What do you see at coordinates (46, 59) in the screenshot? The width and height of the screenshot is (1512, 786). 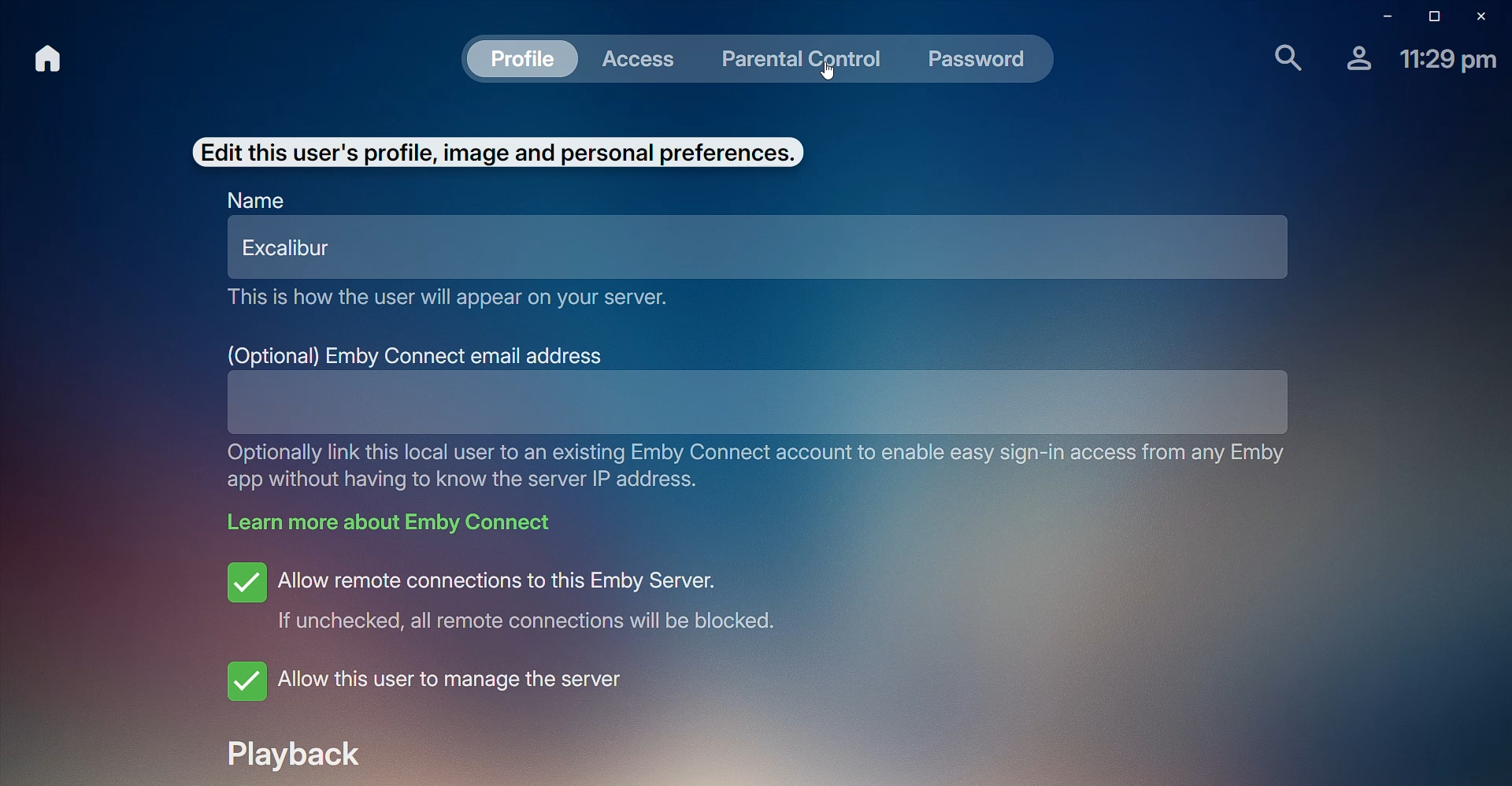 I see `Home` at bounding box center [46, 59].